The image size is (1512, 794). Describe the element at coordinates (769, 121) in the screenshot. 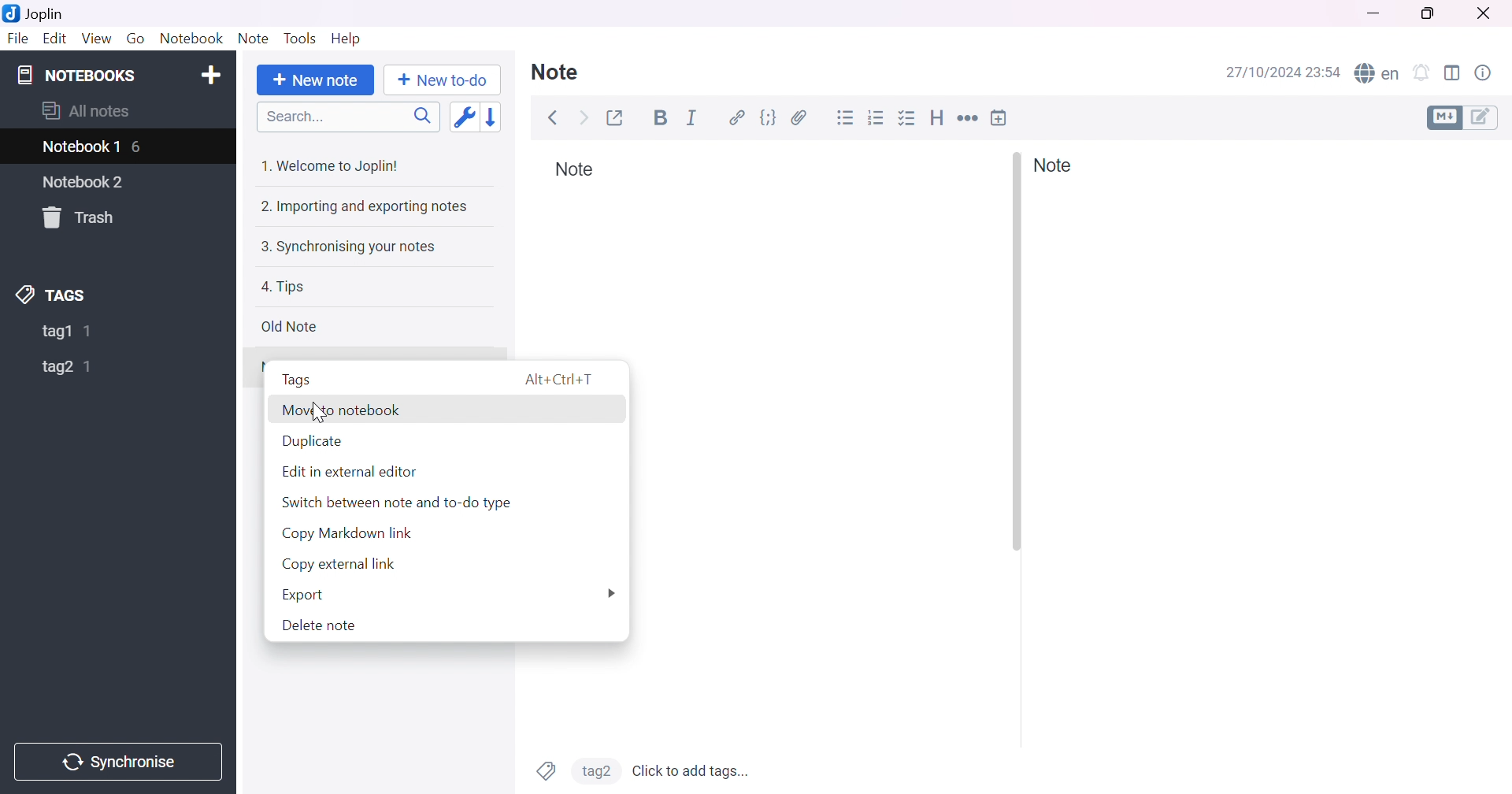

I see `Code` at that location.